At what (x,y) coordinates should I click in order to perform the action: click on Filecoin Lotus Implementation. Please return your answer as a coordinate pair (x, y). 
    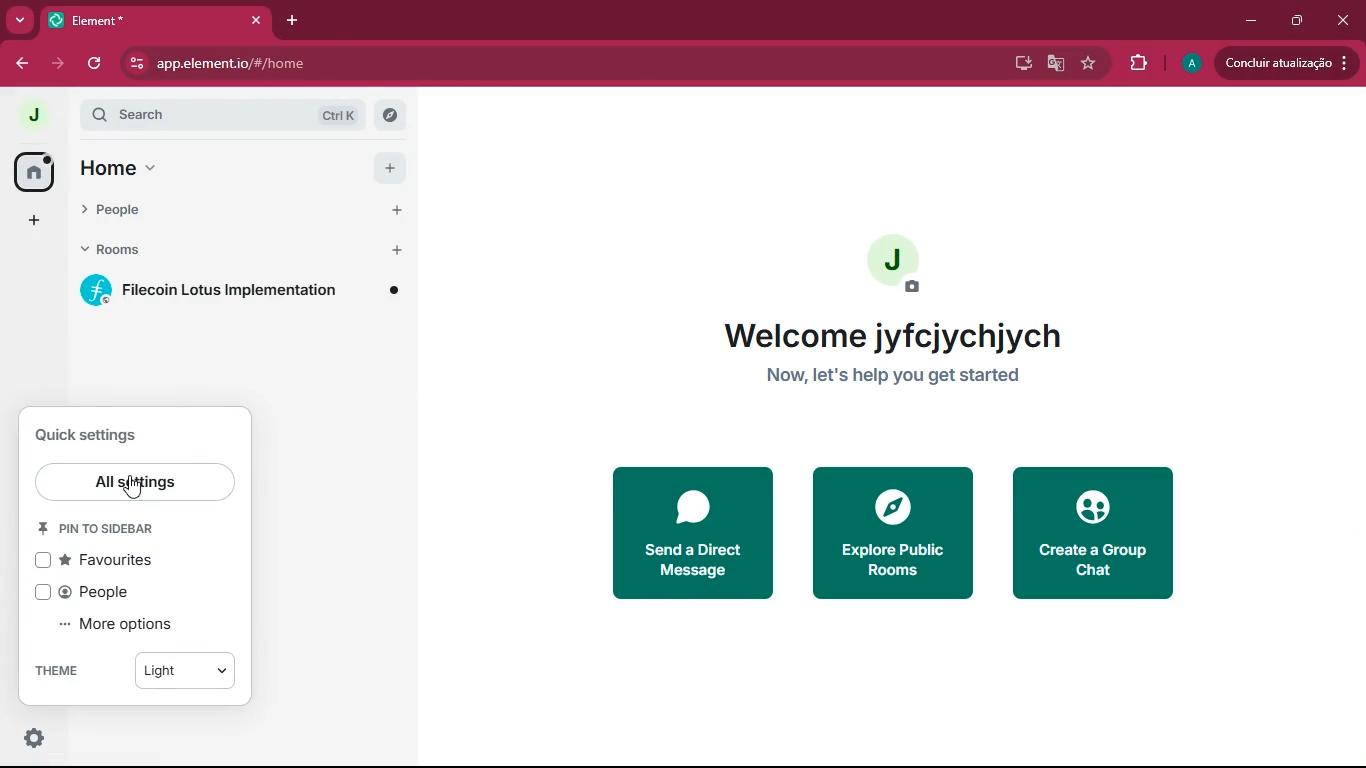
    Looking at the image, I should click on (241, 291).